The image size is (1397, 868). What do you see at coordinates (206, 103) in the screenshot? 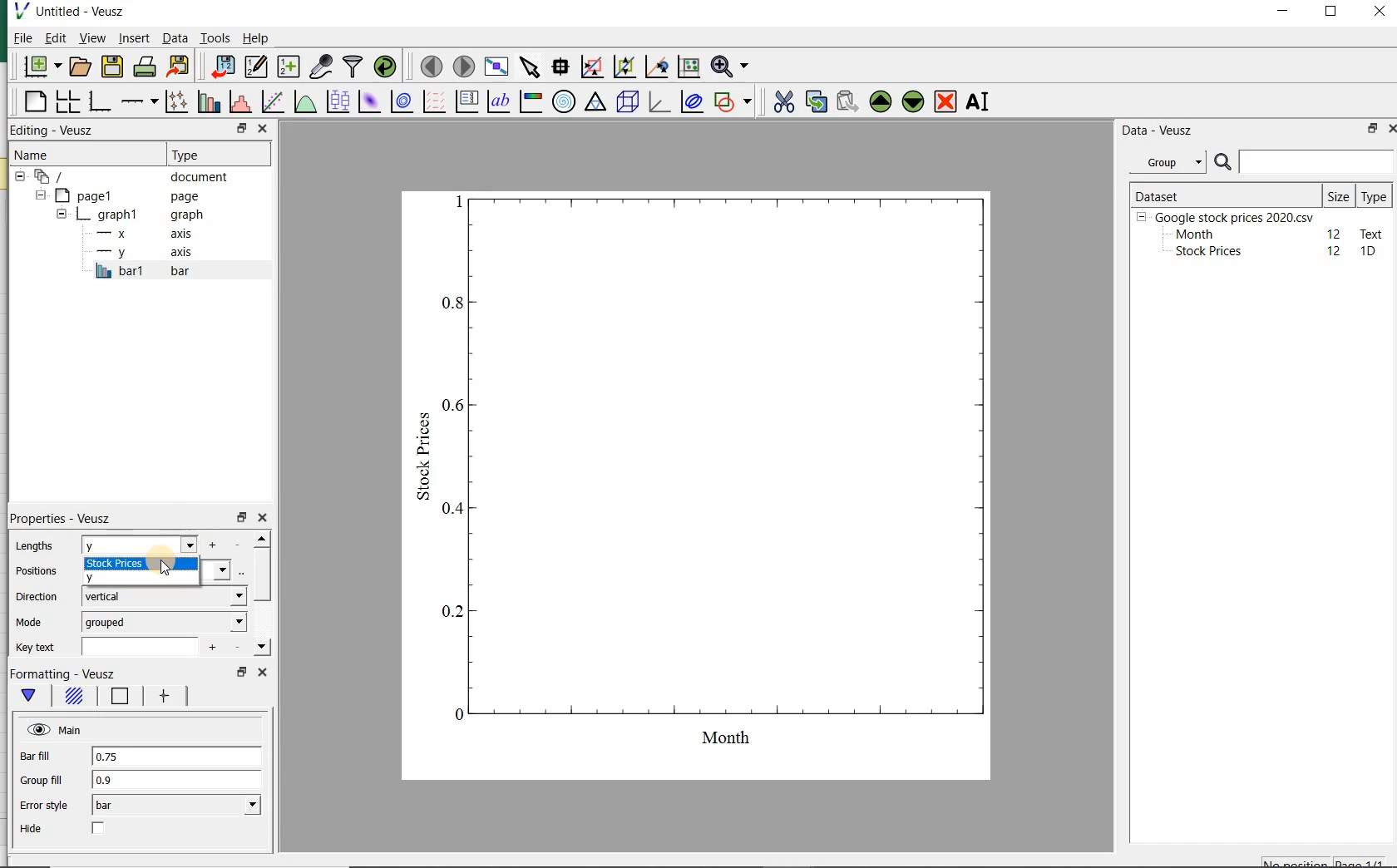
I see `plot bar charts` at bounding box center [206, 103].